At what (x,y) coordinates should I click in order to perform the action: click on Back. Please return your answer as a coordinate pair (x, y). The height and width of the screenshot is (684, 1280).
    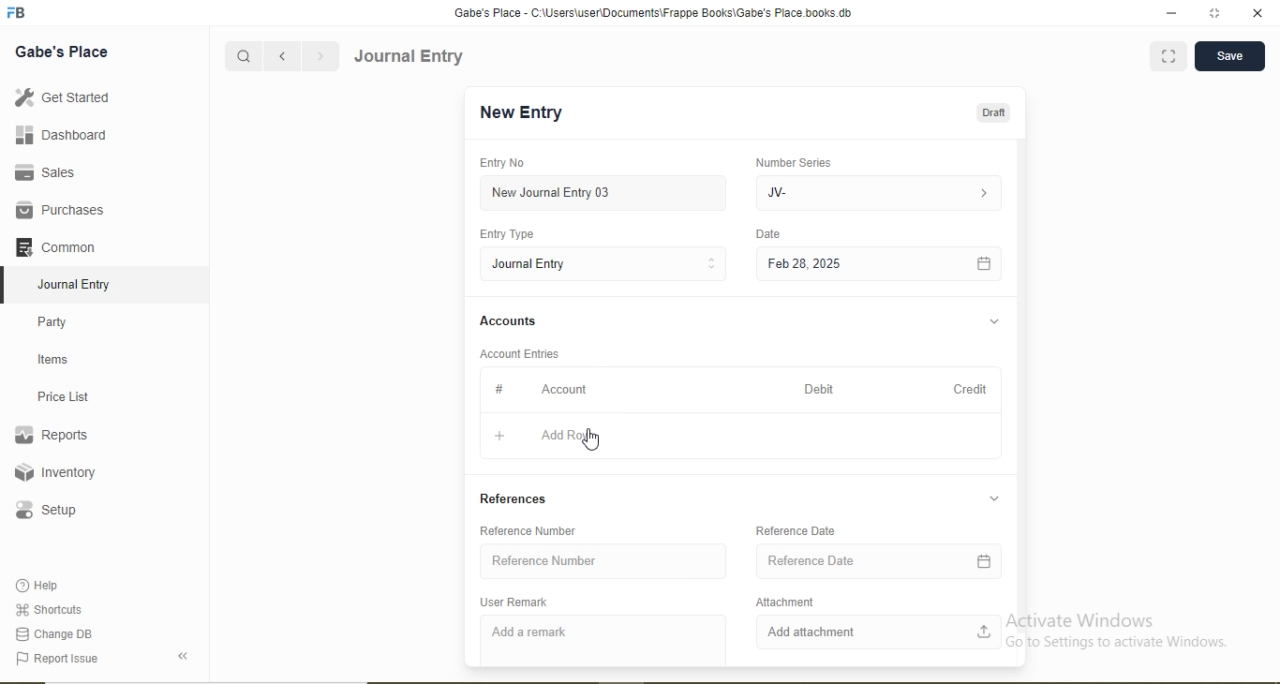
    Looking at the image, I should click on (182, 656).